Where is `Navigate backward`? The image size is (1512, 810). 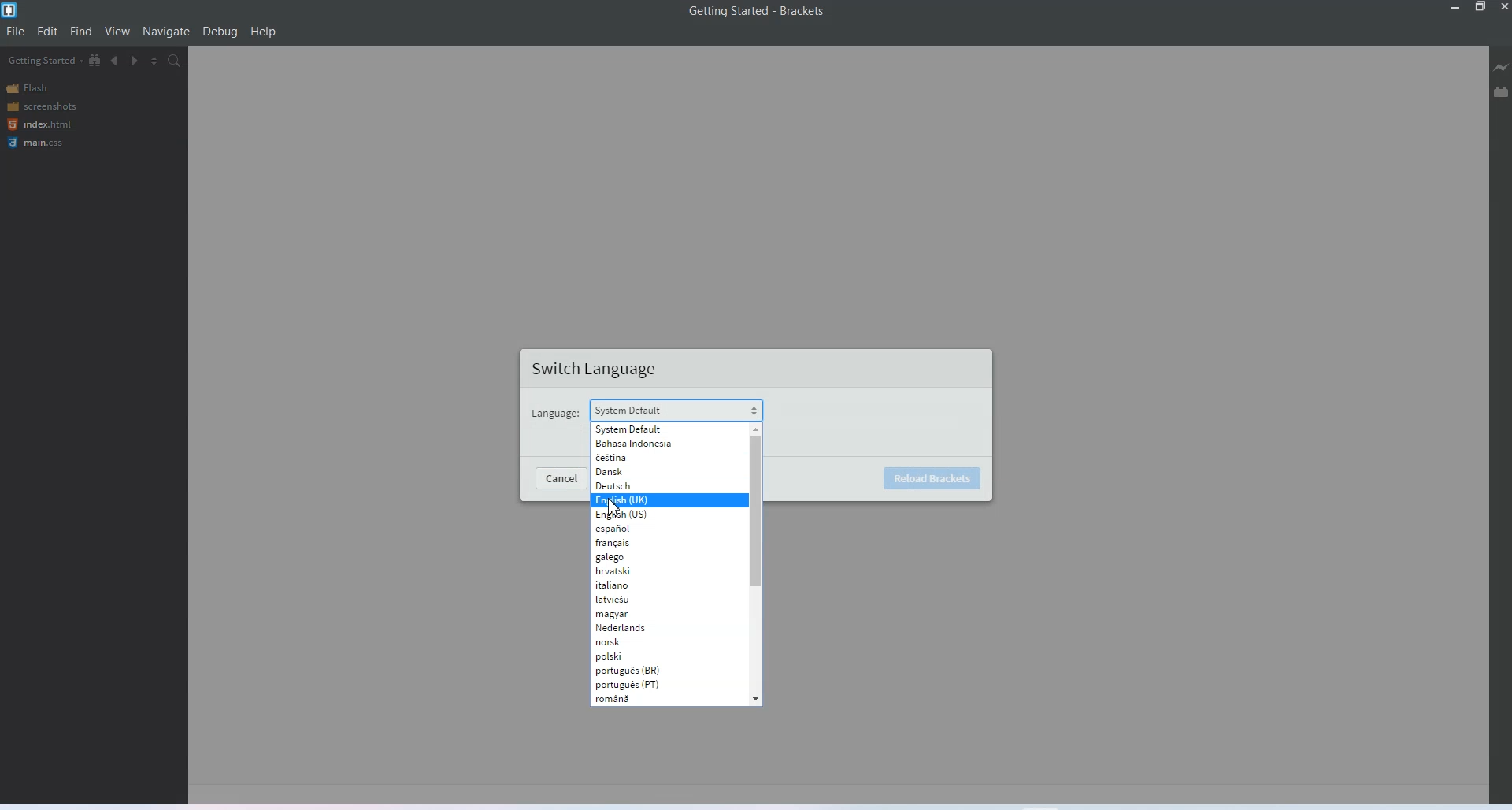
Navigate backward is located at coordinates (115, 61).